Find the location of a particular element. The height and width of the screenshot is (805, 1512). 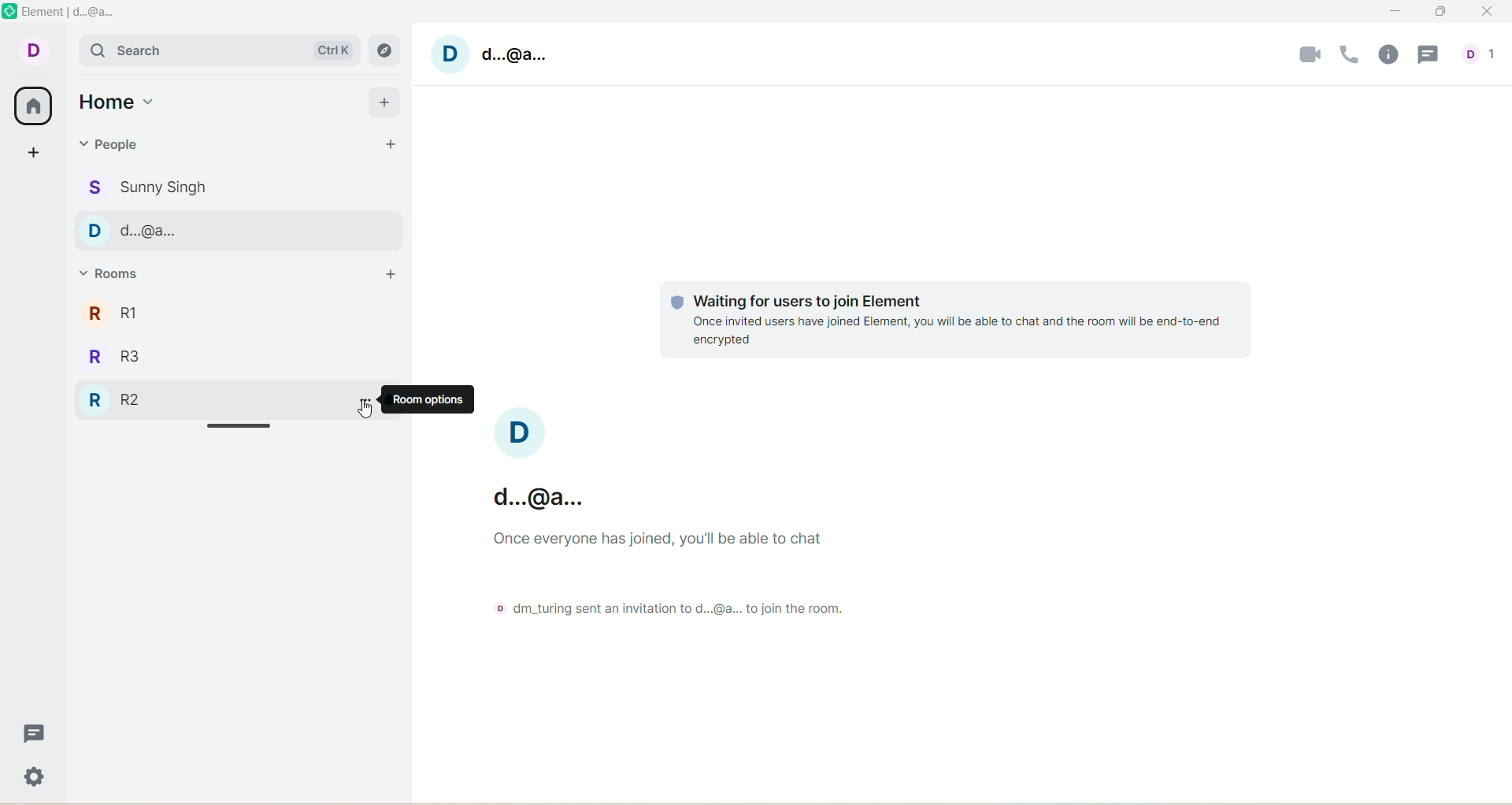

create space is located at coordinates (34, 152).